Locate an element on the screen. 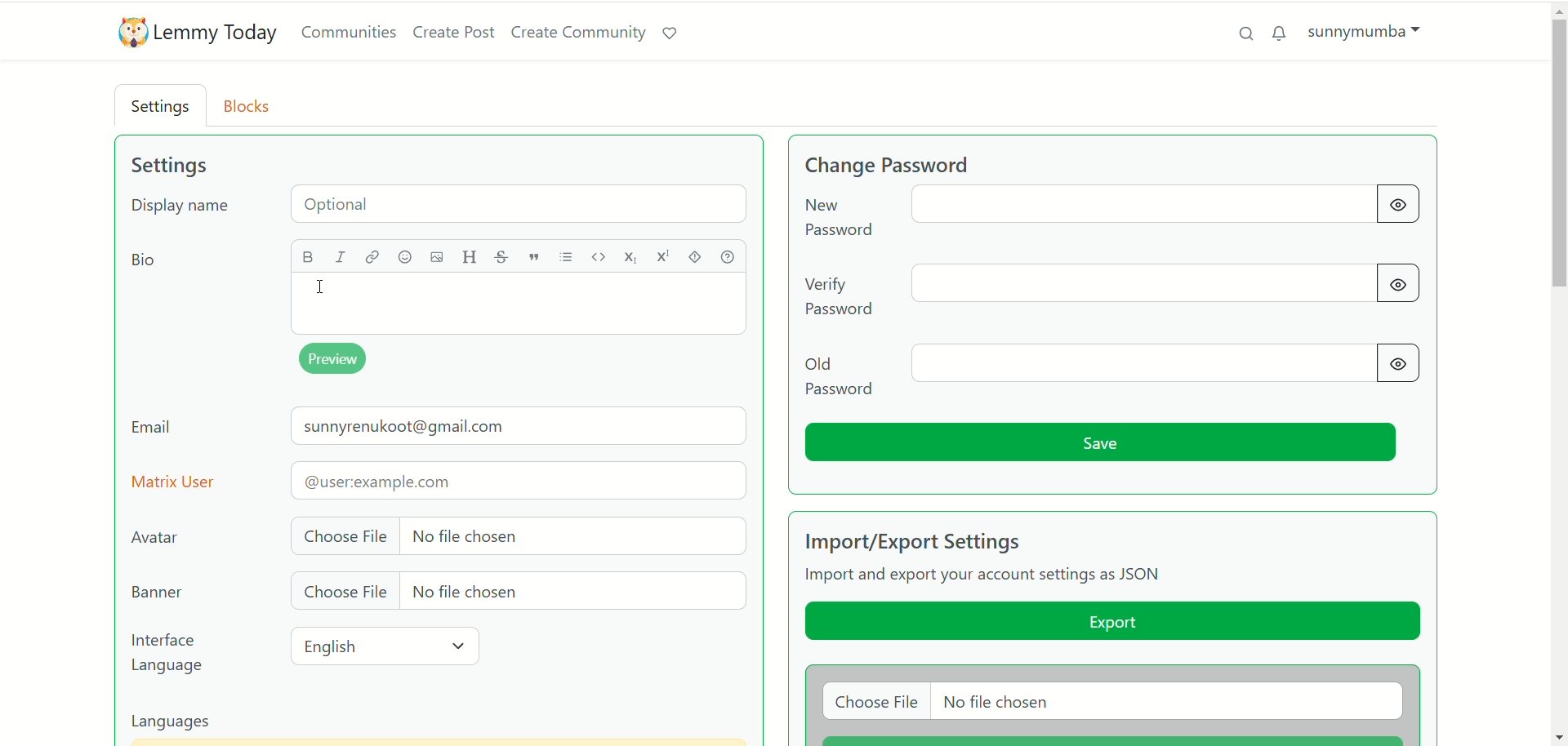 The width and height of the screenshot is (1568, 746). italics is located at coordinates (345, 258).